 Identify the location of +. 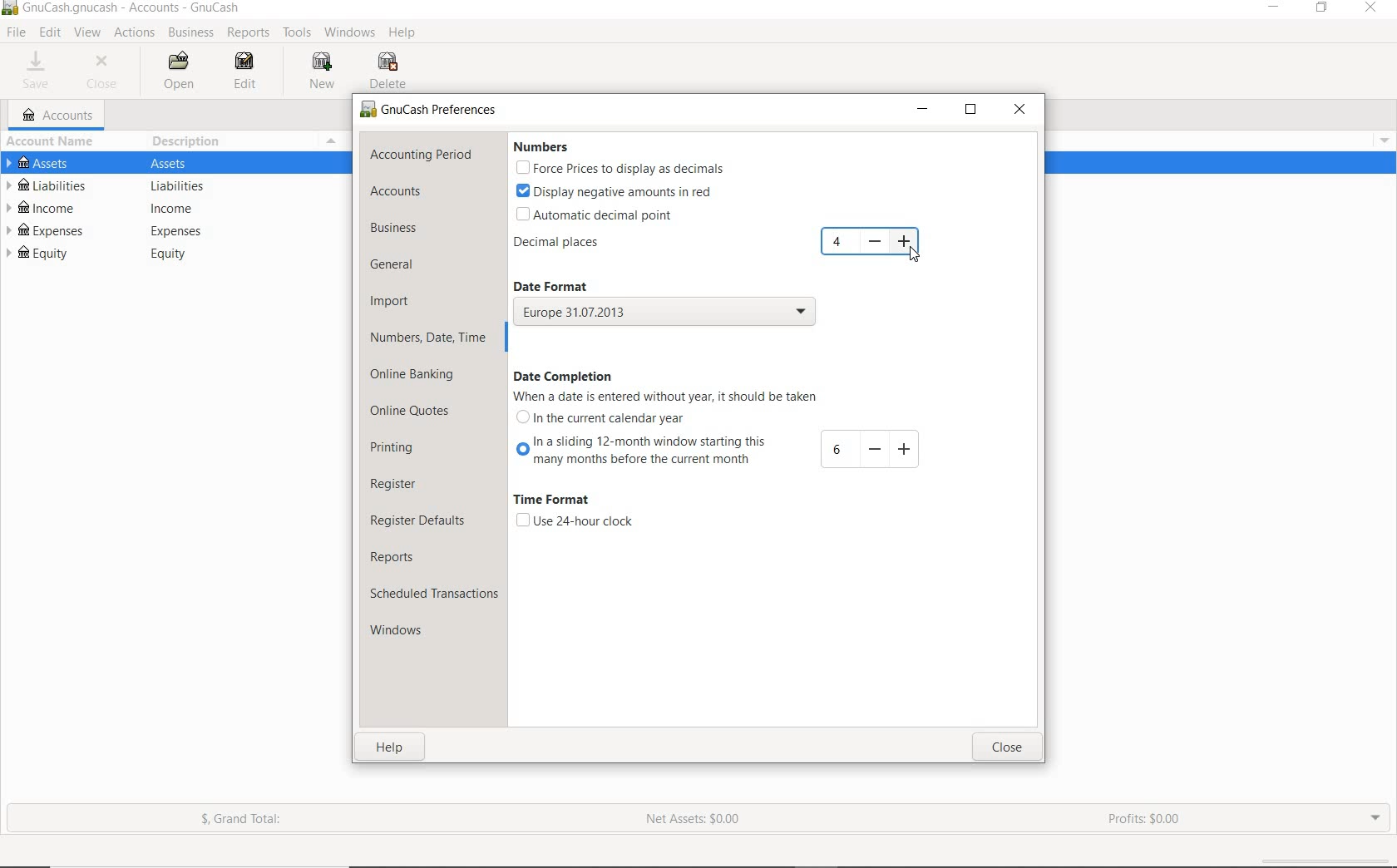
(906, 241).